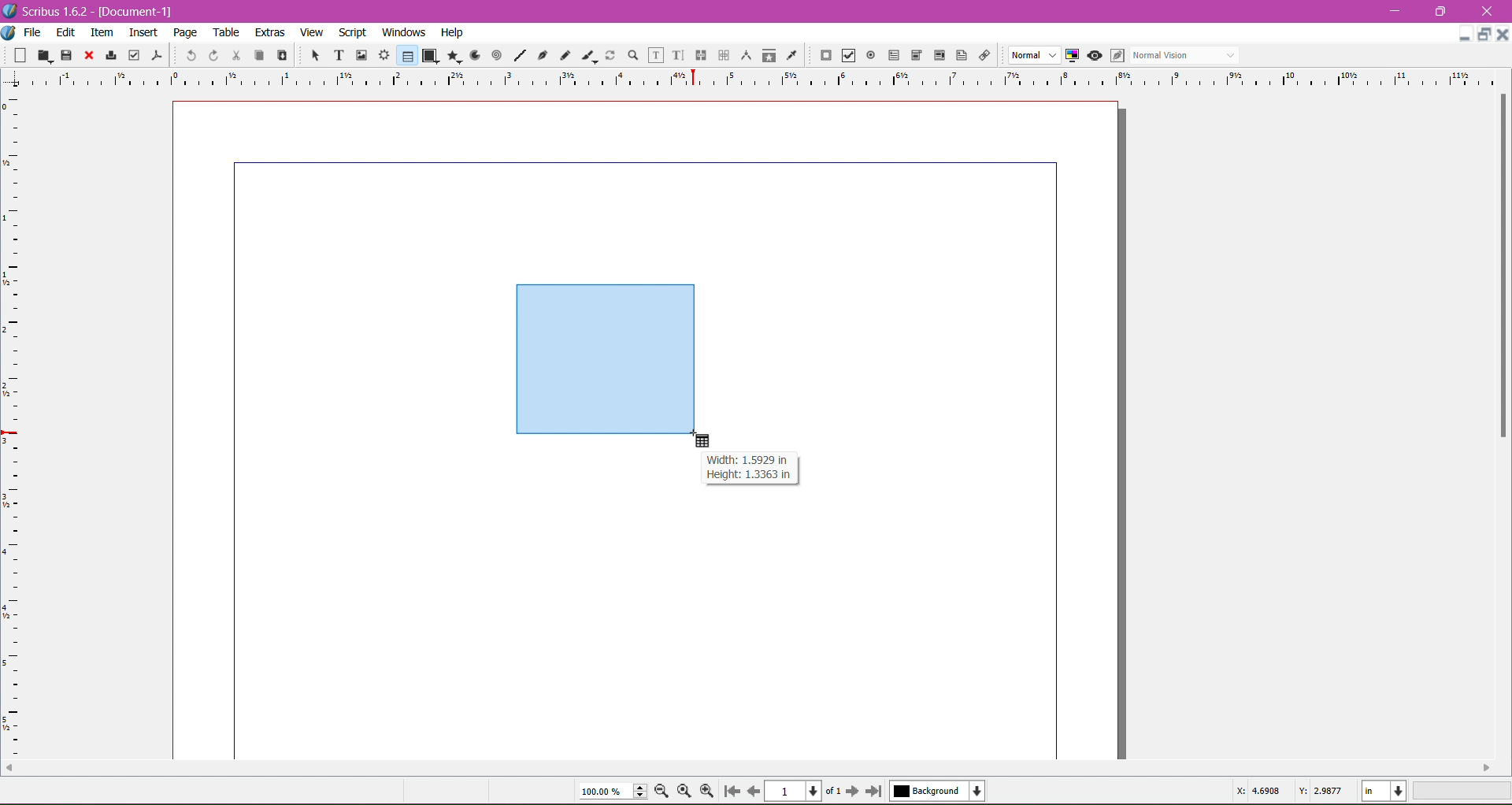  What do you see at coordinates (686, 792) in the screenshot?
I see `Zoom to 100%` at bounding box center [686, 792].